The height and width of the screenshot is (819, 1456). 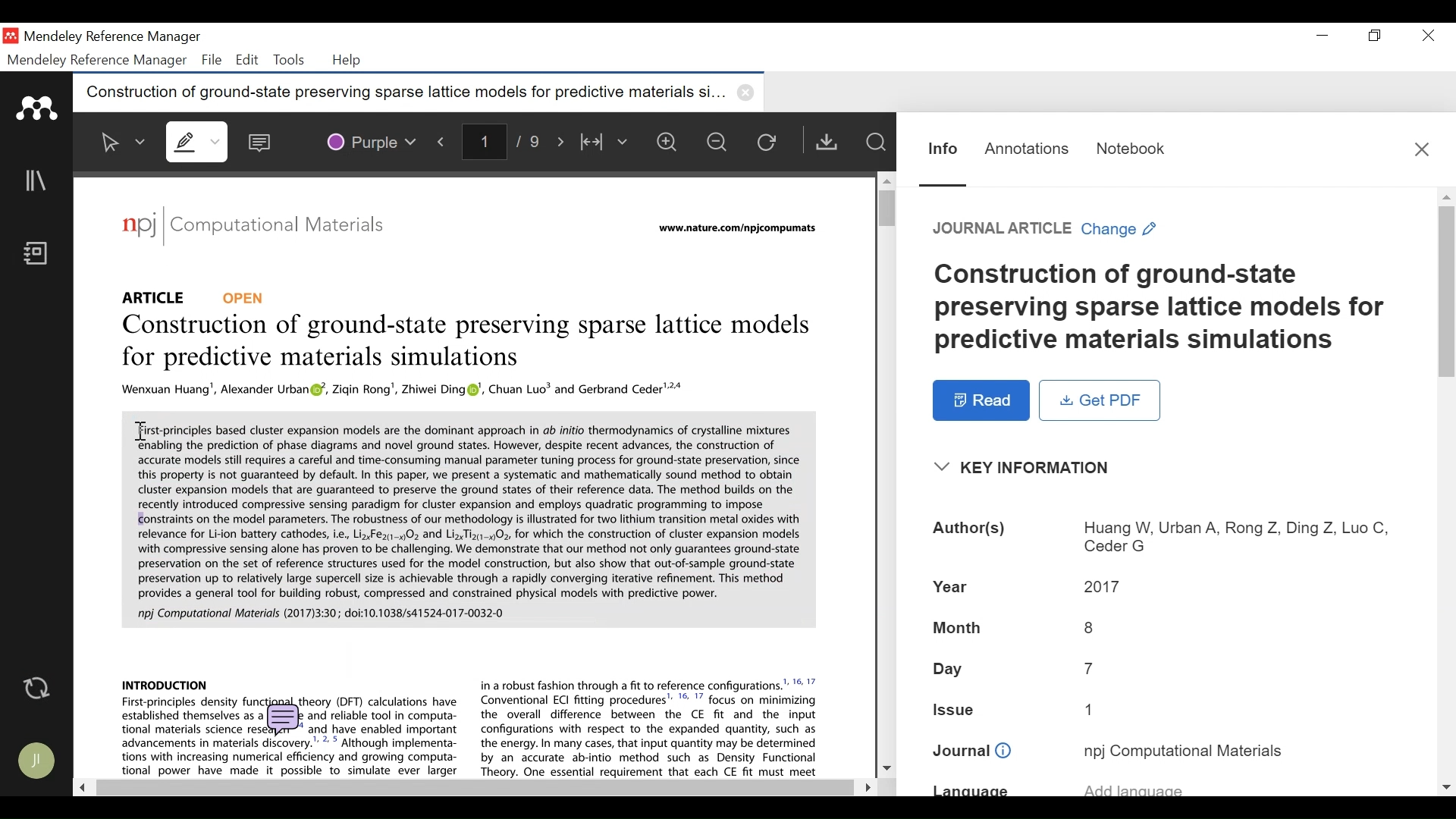 I want to click on Issue, so click(x=1095, y=708).